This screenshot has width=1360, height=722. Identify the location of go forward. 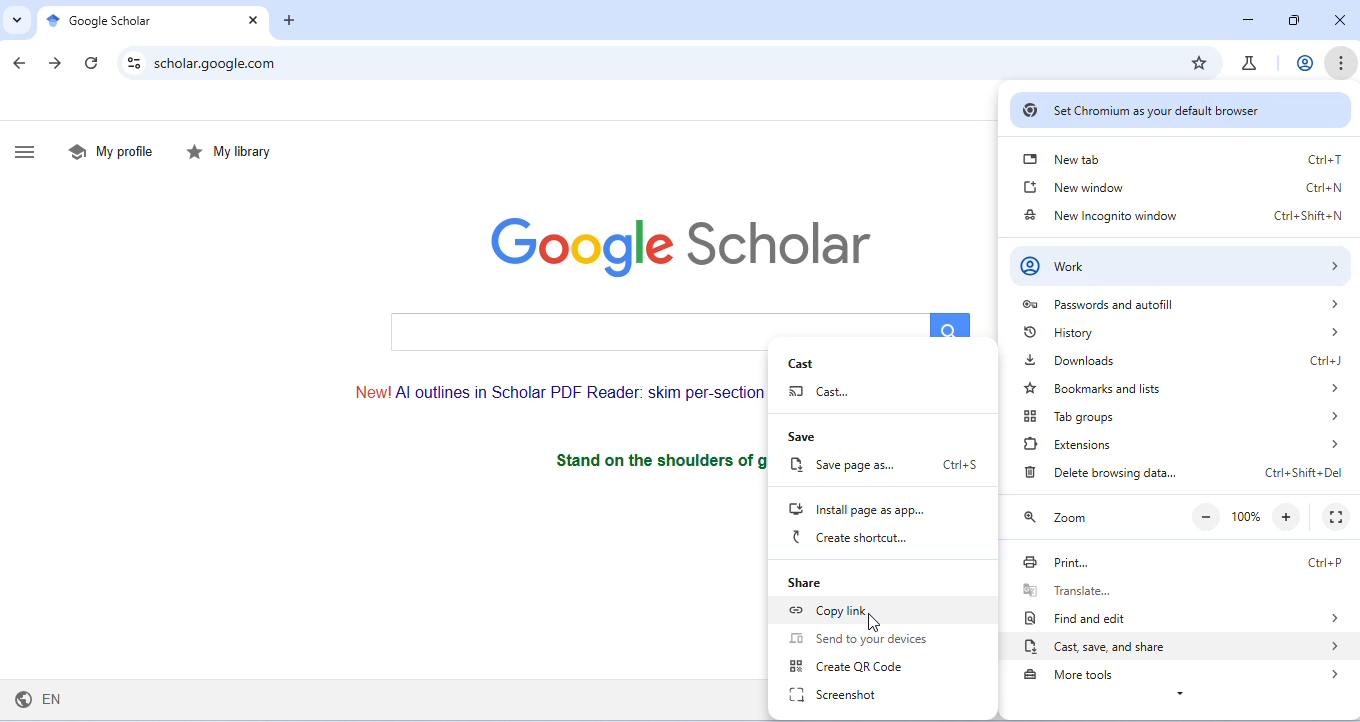
(54, 64).